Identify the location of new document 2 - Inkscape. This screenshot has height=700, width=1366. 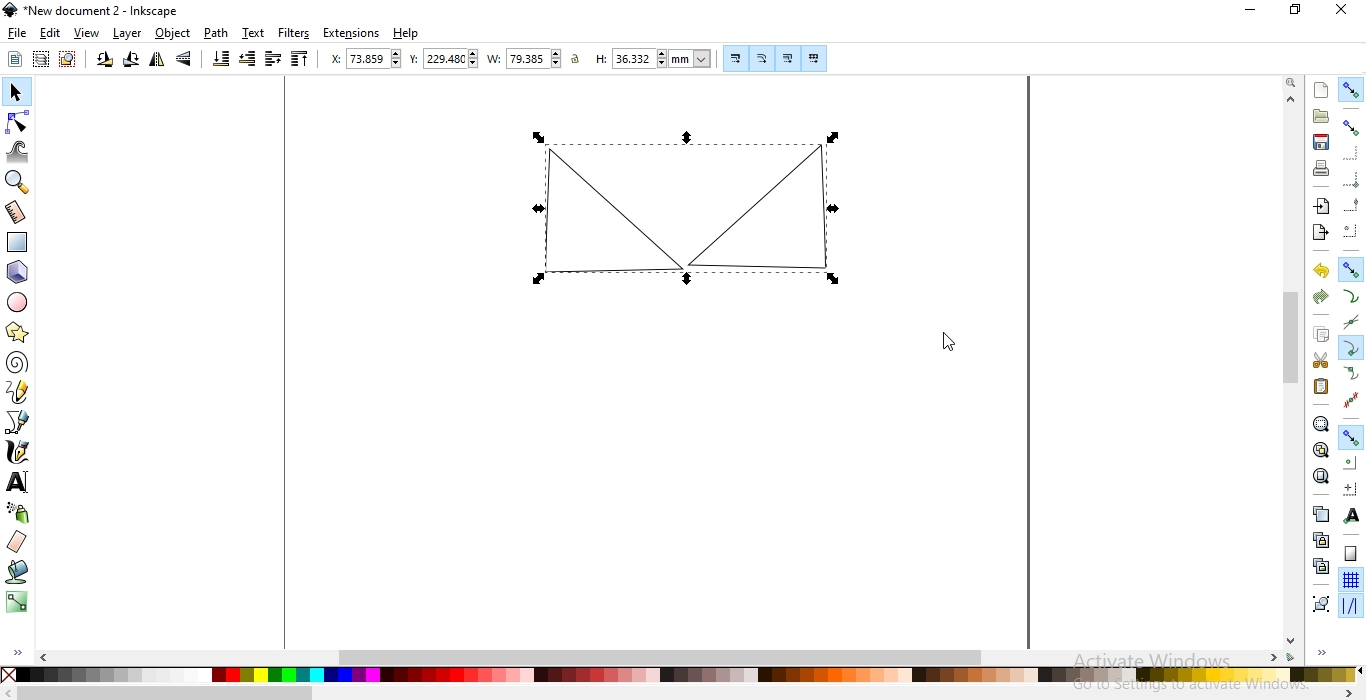
(98, 9).